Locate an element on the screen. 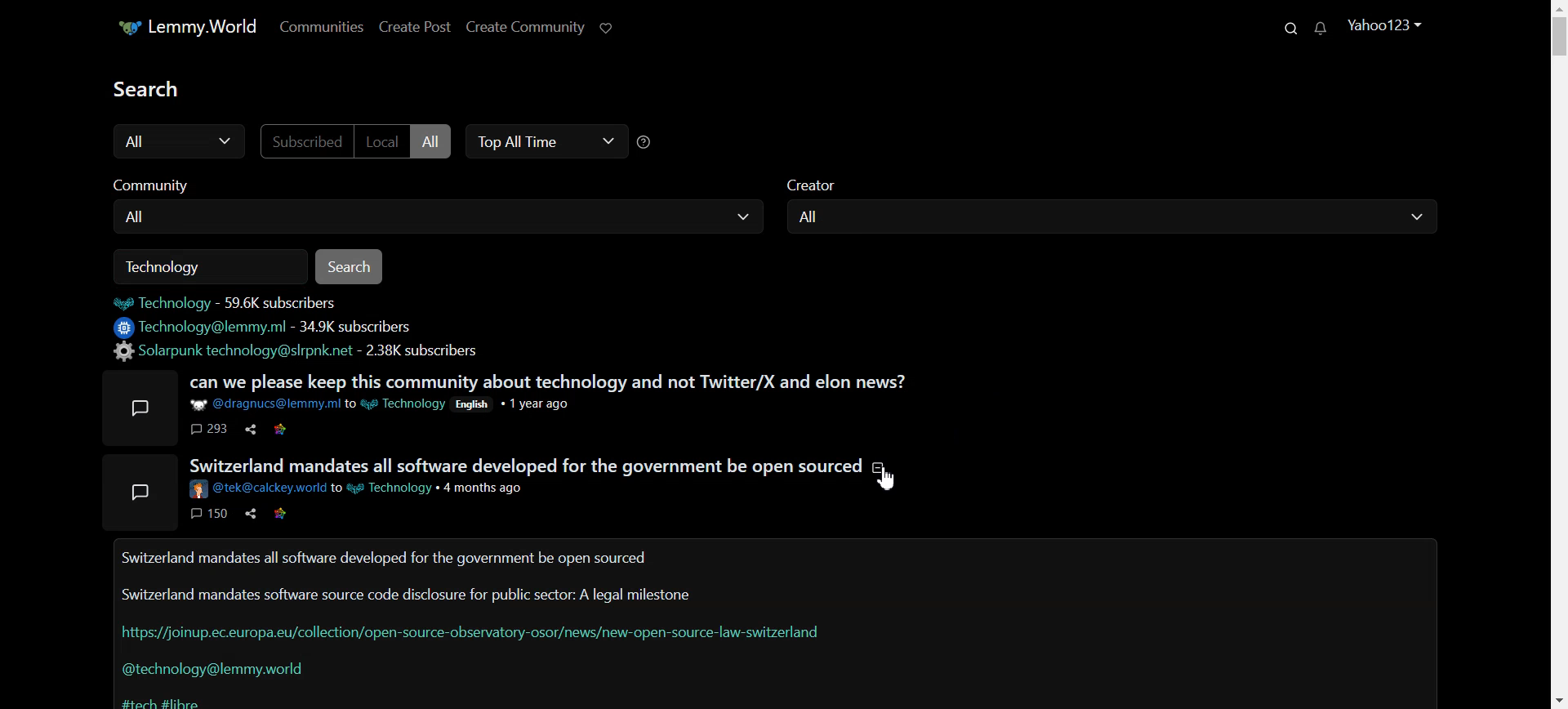 The width and height of the screenshot is (1568, 709). Search is located at coordinates (353, 266).